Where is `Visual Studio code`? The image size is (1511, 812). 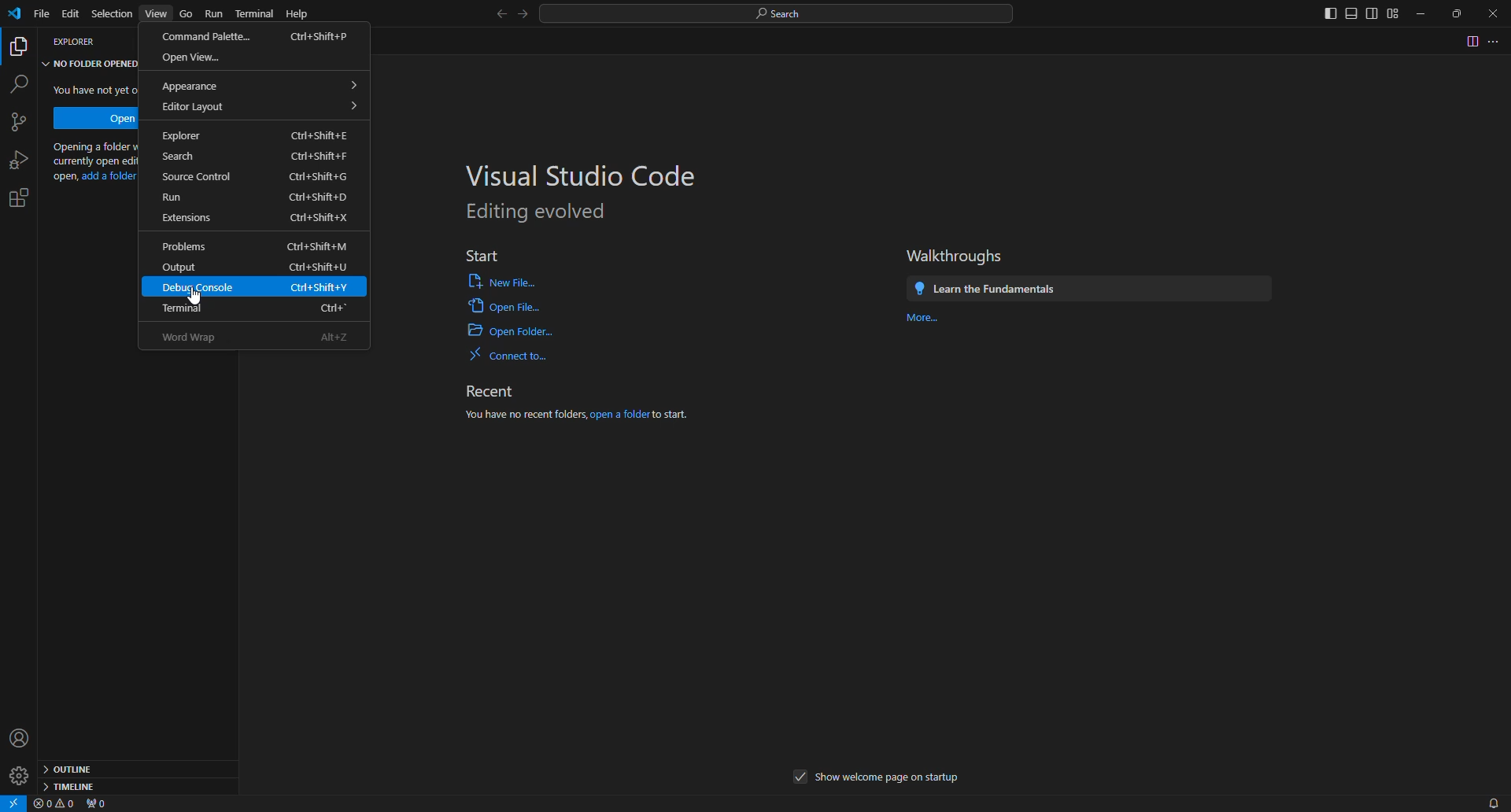
Visual Studio code is located at coordinates (573, 172).